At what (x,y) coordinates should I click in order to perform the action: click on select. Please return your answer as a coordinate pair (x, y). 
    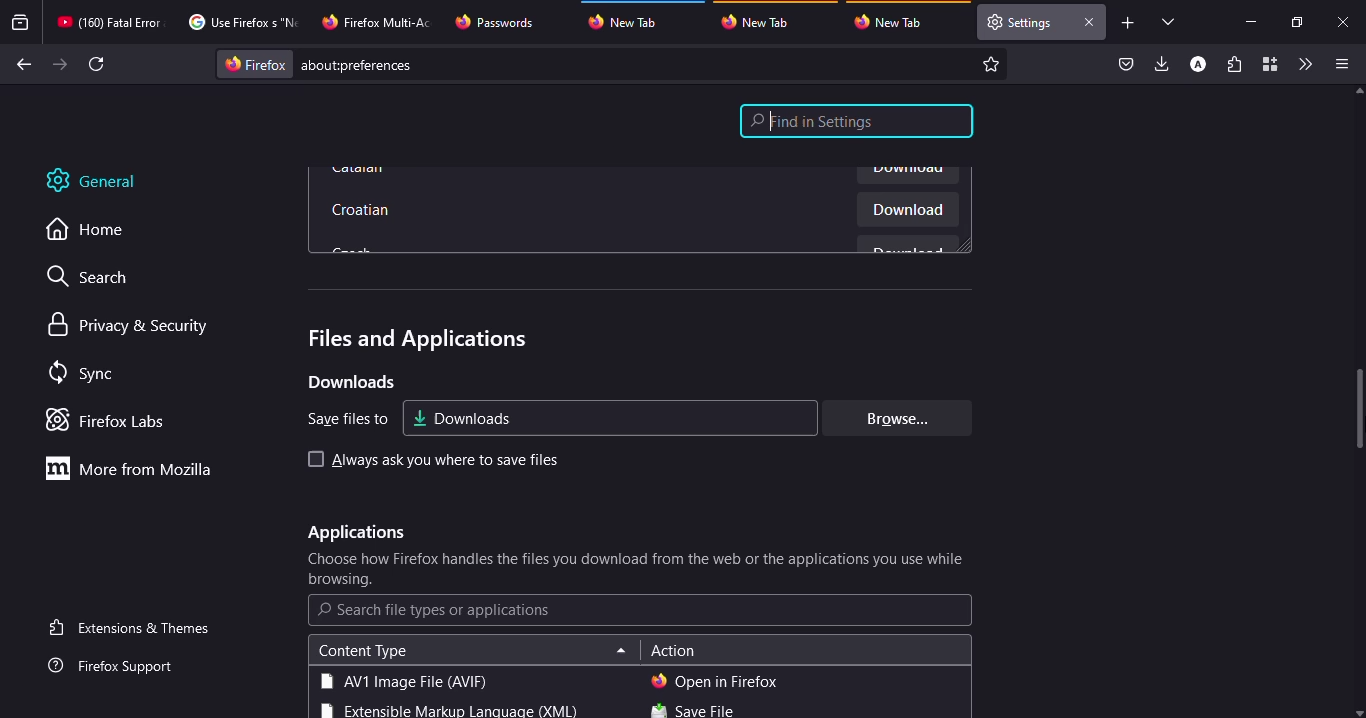
    Looking at the image, I should click on (310, 458).